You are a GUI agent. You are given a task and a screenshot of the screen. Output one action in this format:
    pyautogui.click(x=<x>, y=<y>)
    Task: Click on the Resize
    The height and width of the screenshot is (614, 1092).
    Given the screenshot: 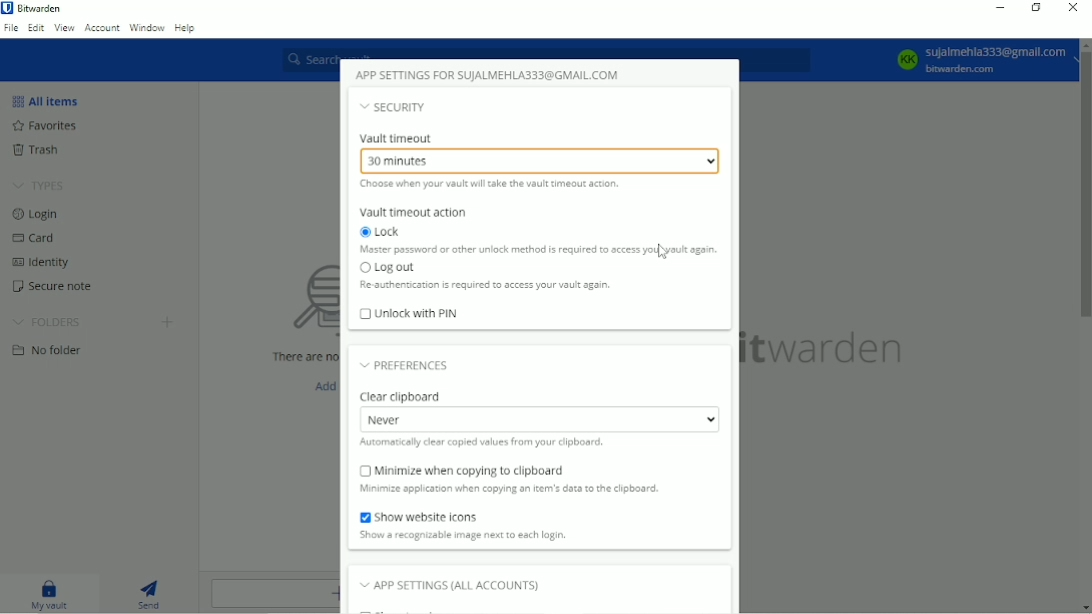 What is the action you would take?
    pyautogui.click(x=1037, y=8)
    